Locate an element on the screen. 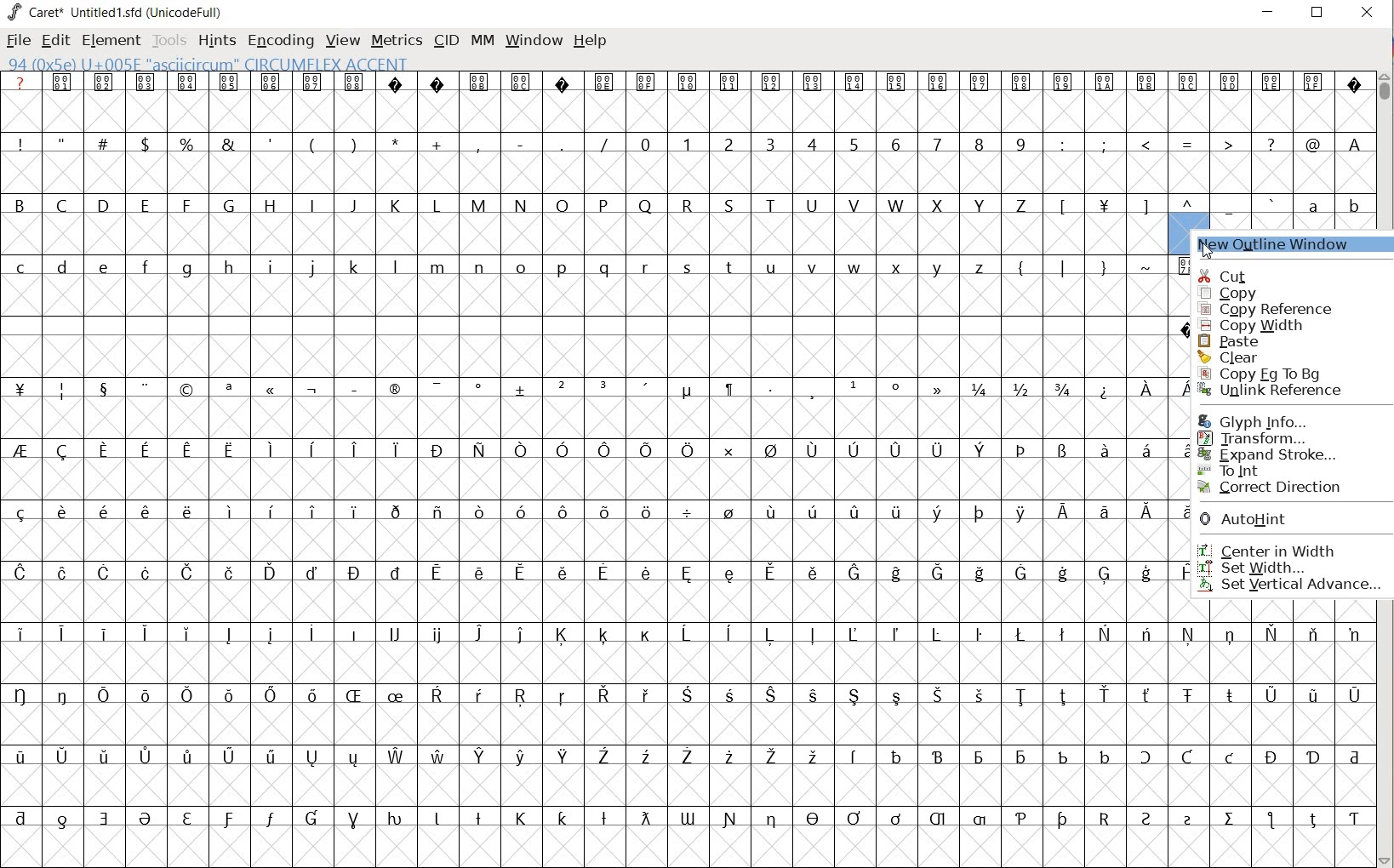 The width and height of the screenshot is (1394, 868). correct direction is located at coordinates (1283, 488).